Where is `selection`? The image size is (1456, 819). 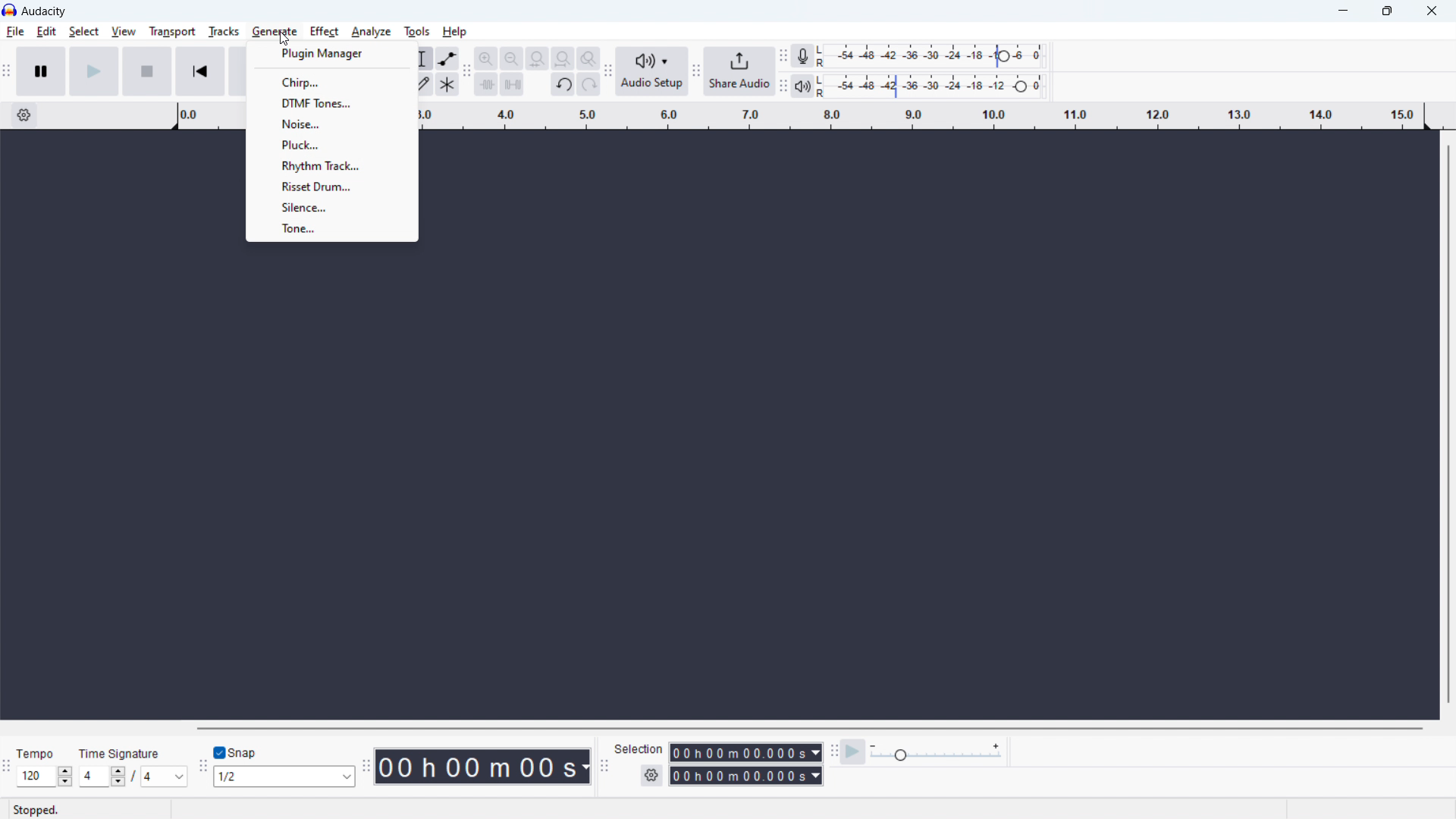
selection is located at coordinates (639, 748).